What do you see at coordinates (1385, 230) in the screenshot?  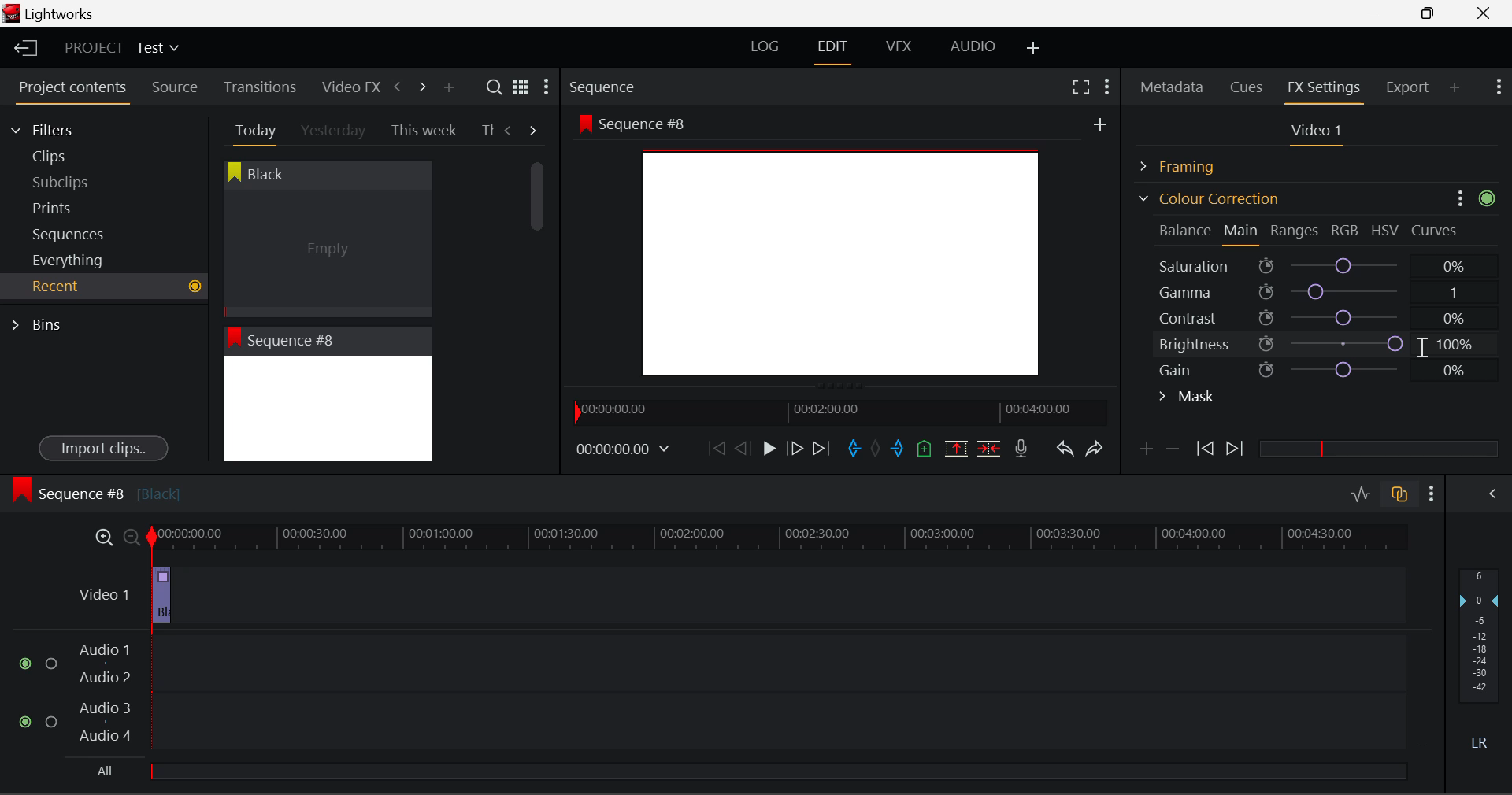 I see `HSV` at bounding box center [1385, 230].